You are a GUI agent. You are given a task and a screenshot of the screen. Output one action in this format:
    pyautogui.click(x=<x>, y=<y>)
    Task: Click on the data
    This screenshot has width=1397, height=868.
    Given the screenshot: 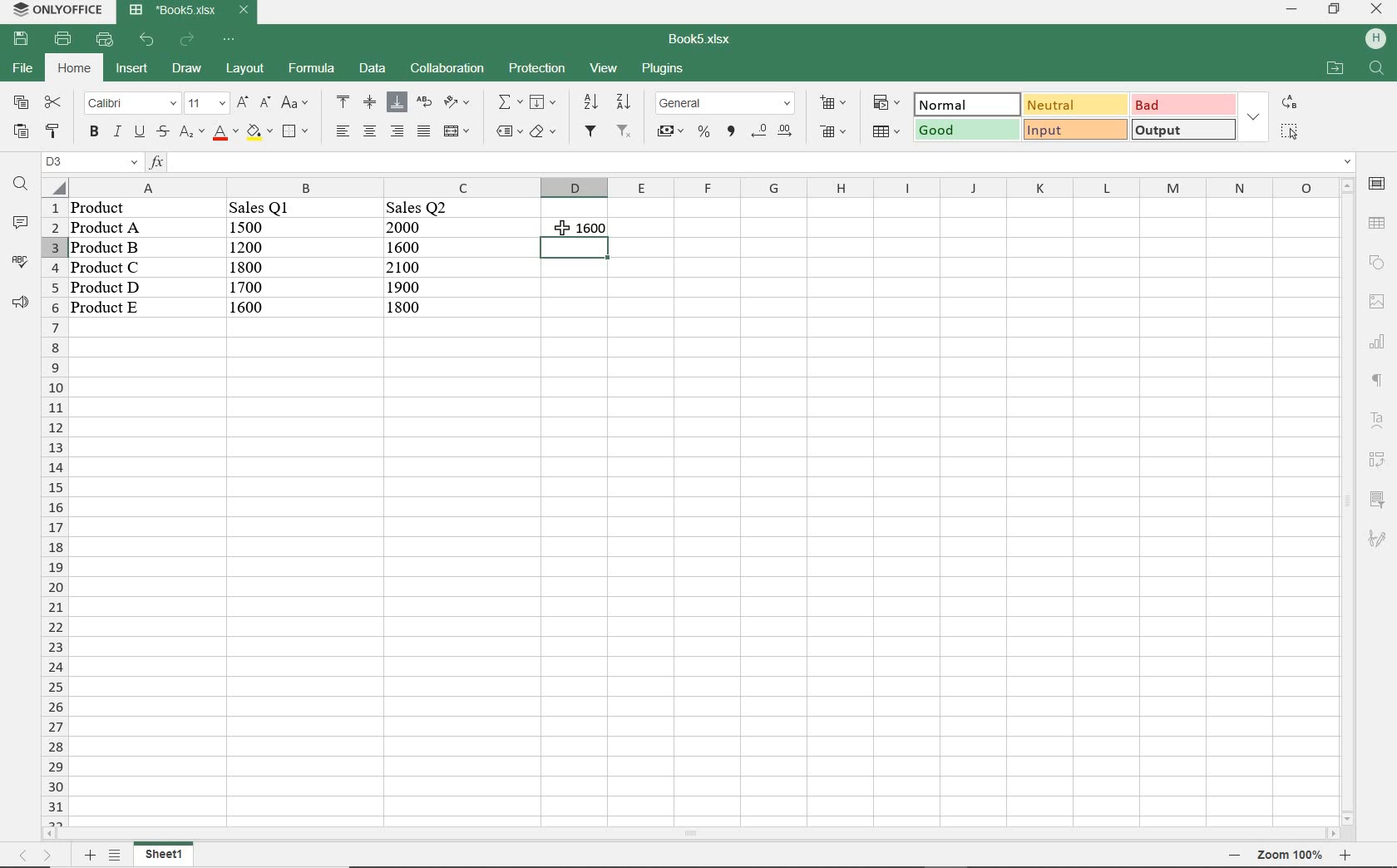 What is the action you would take?
    pyautogui.click(x=268, y=267)
    